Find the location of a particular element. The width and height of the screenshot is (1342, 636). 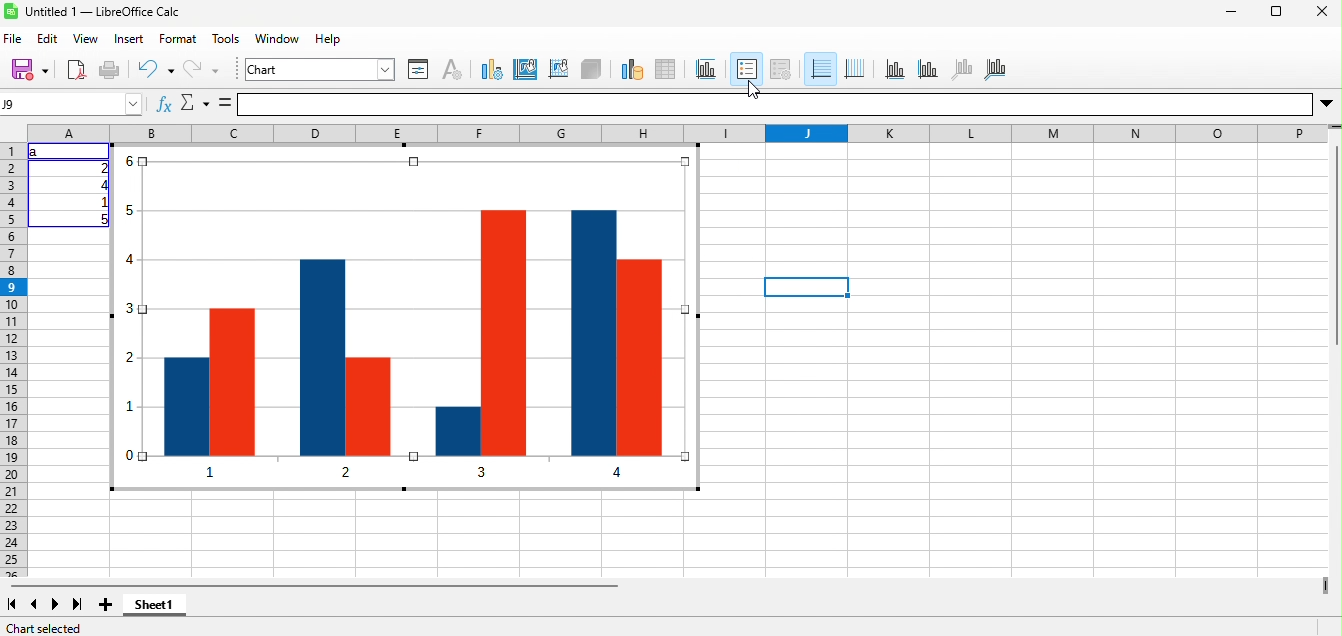

first sheet is located at coordinates (13, 605).